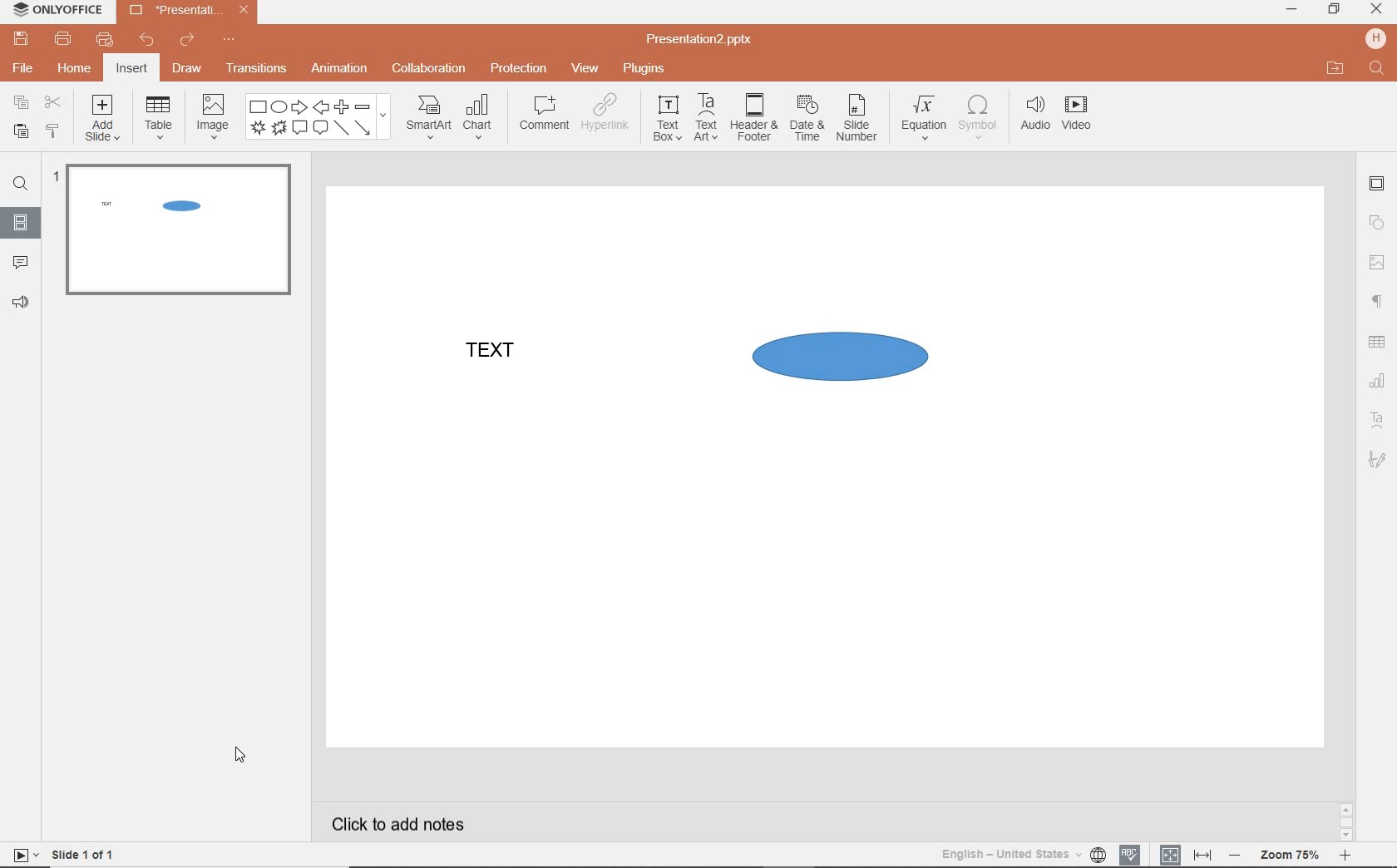 The image size is (1397, 868). Describe the element at coordinates (752, 119) in the screenshot. I see `header & footer` at that location.